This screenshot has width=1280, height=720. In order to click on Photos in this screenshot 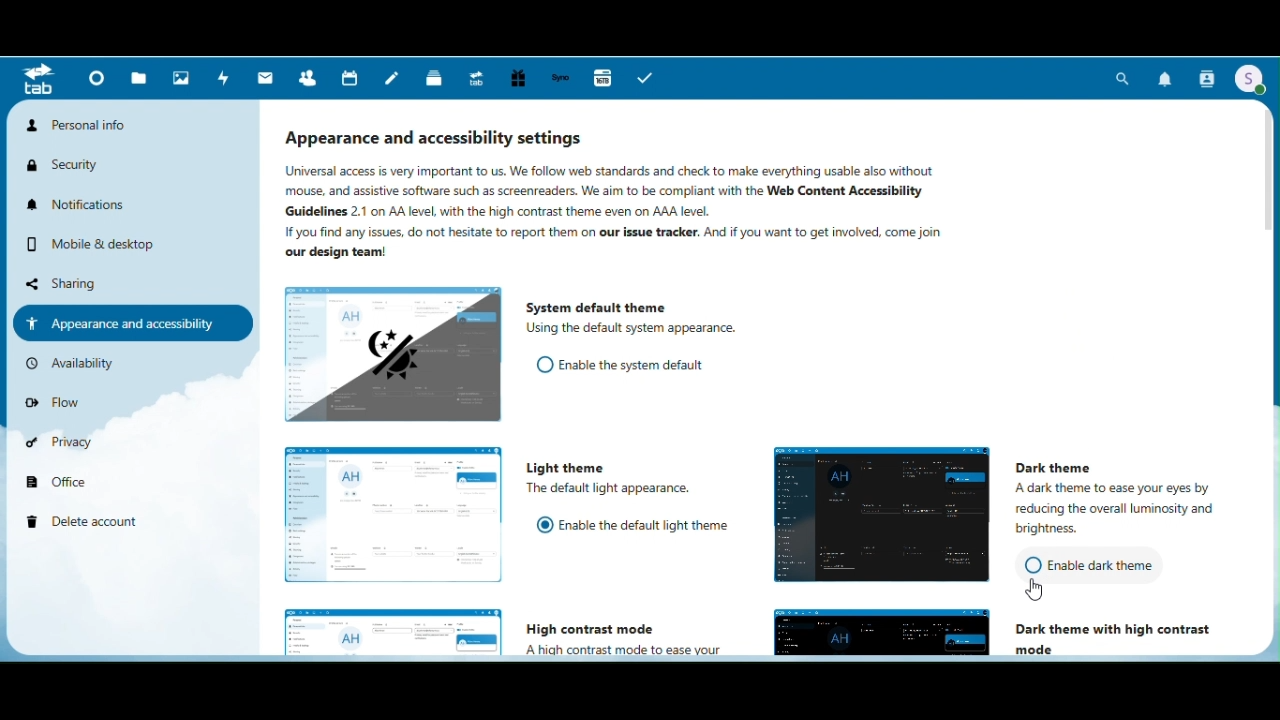, I will do `click(181, 79)`.